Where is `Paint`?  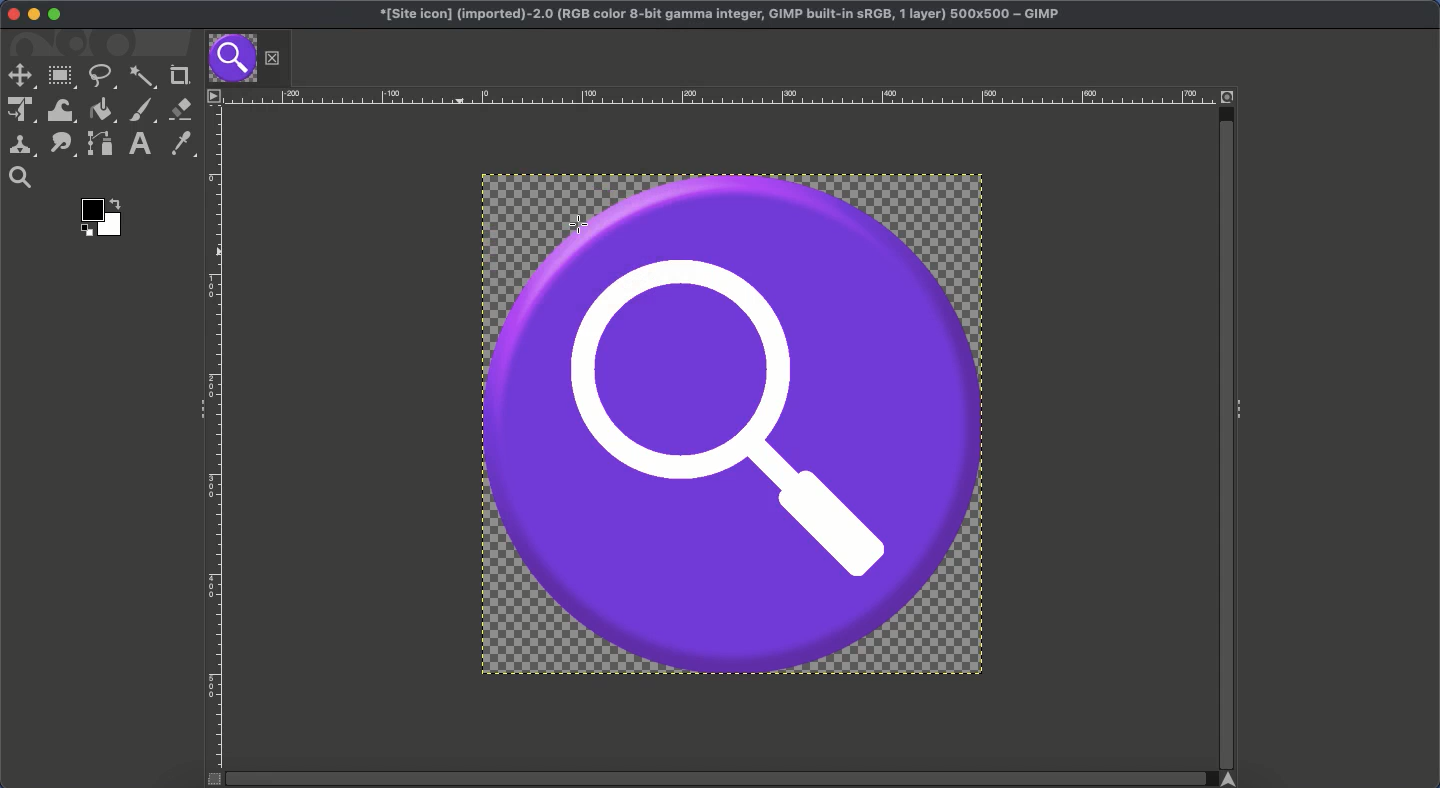 Paint is located at coordinates (142, 111).